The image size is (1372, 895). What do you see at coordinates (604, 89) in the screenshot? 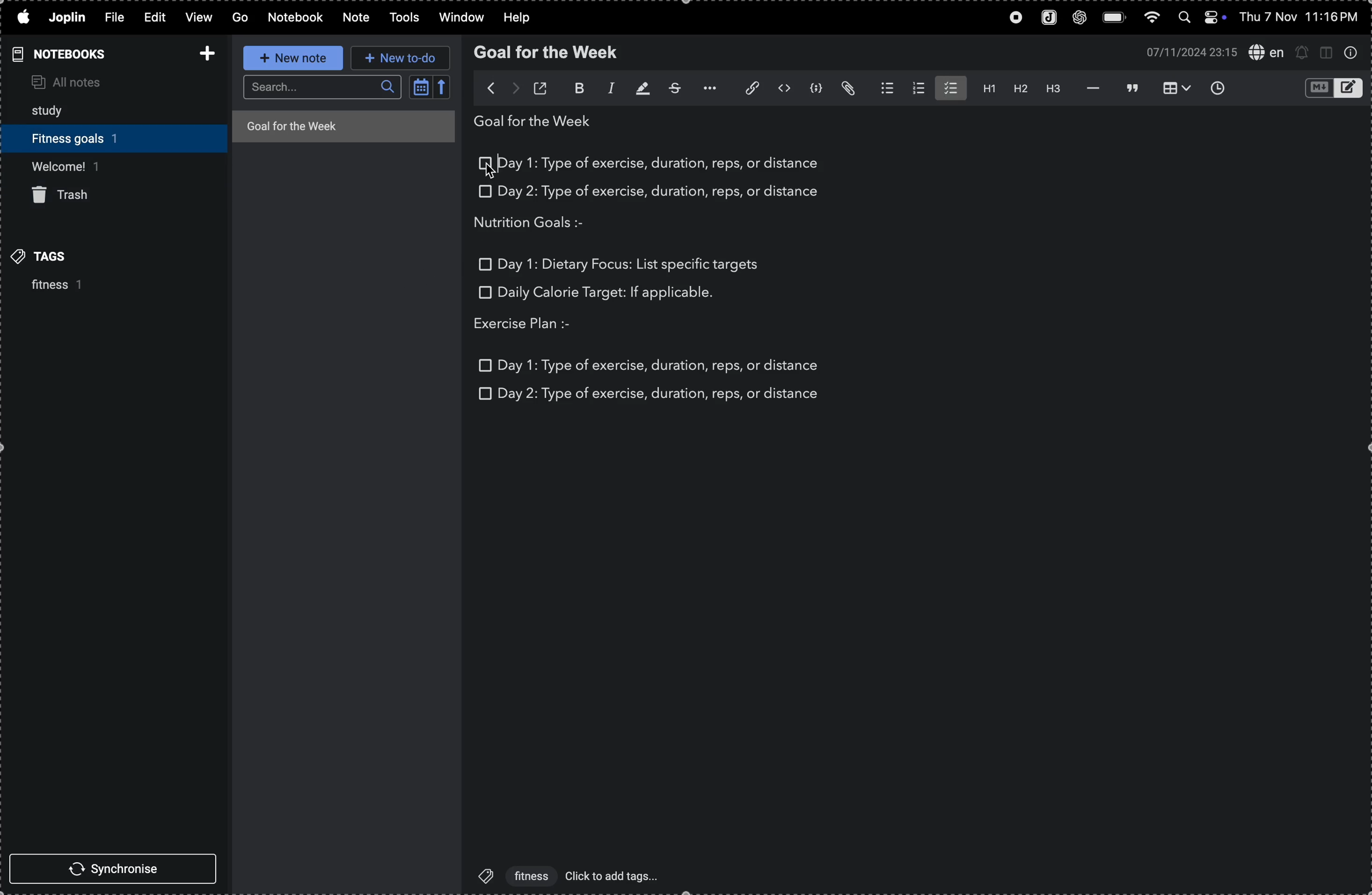
I see `italic` at bounding box center [604, 89].